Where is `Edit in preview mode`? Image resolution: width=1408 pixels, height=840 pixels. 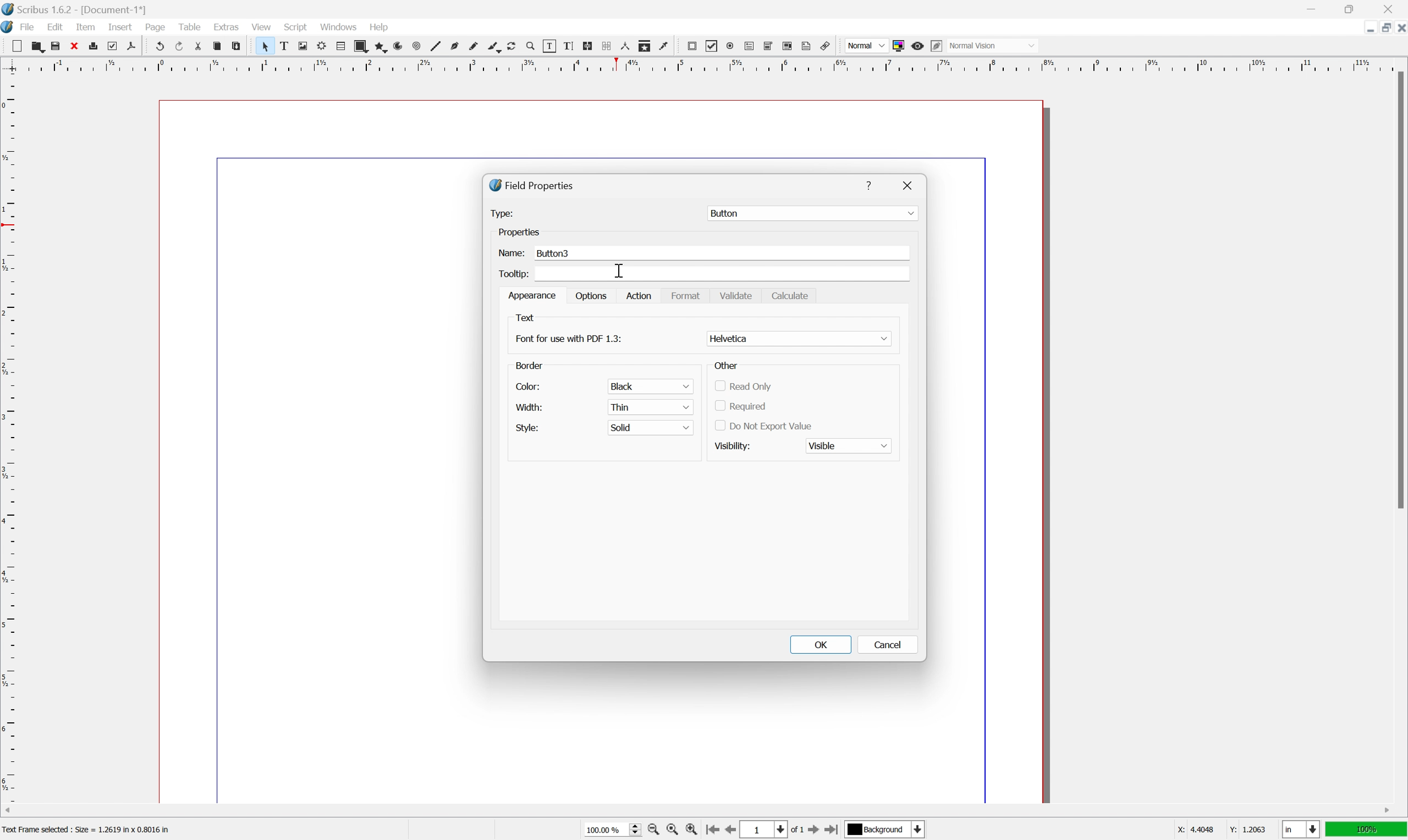
Edit in preview mode is located at coordinates (936, 46).